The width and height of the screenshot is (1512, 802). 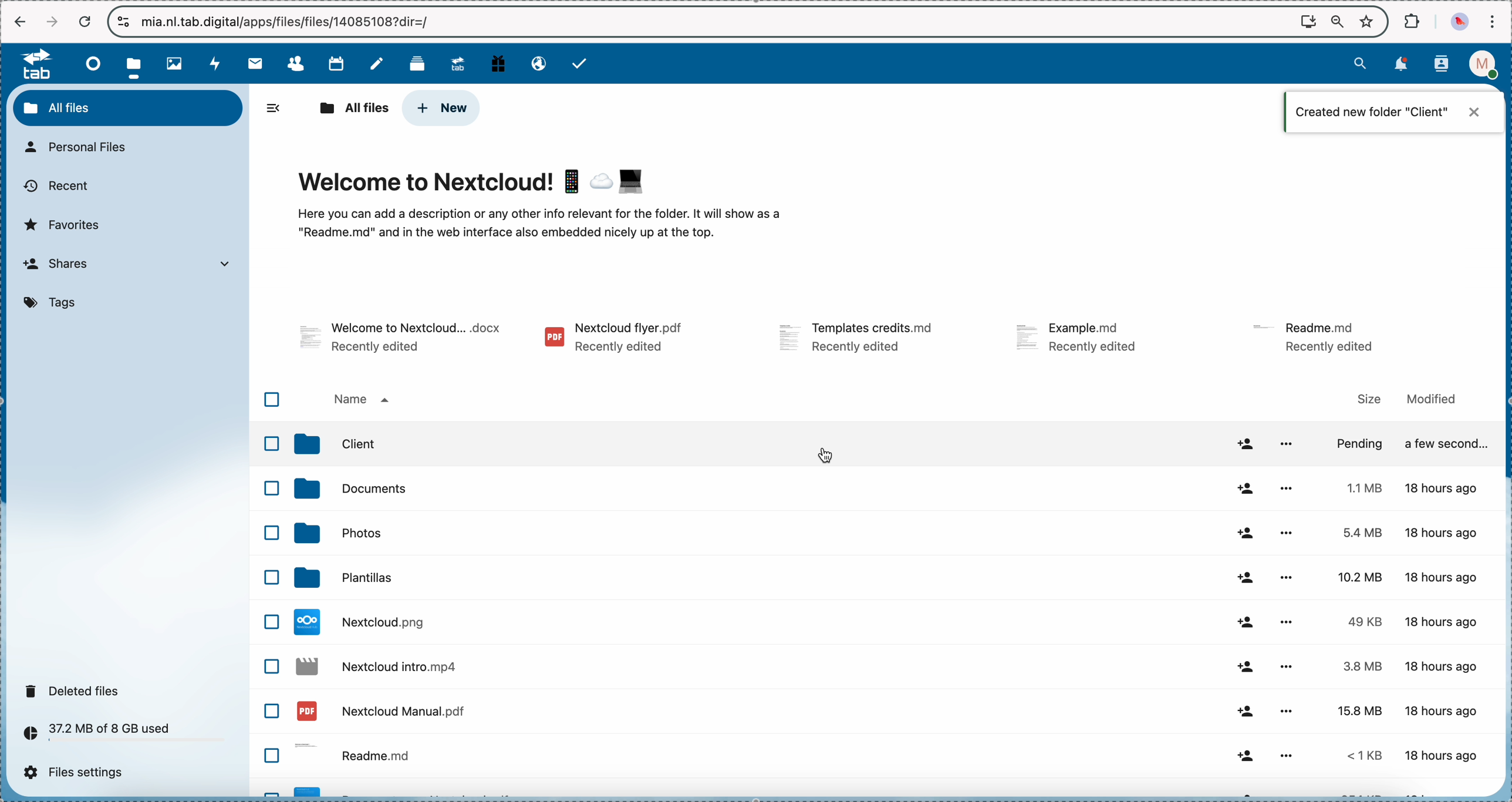 I want to click on more options, so click(x=1285, y=533).